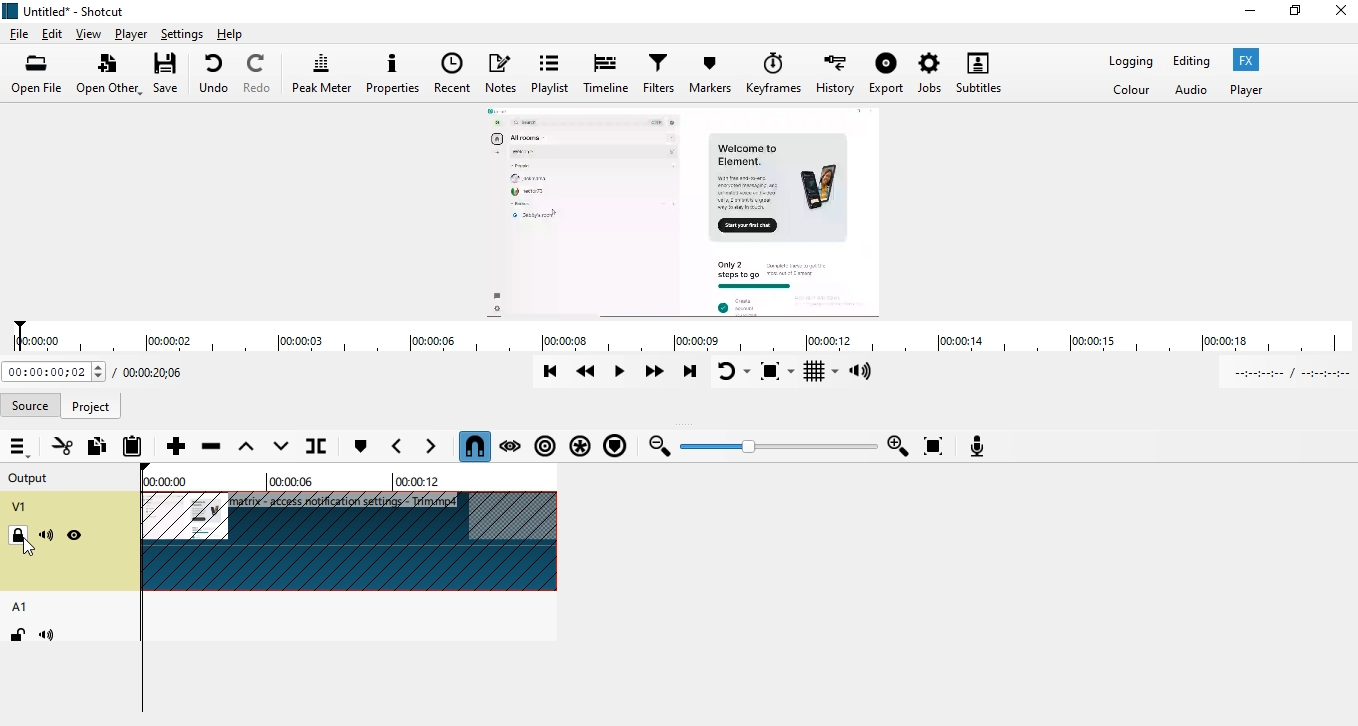 This screenshot has height=726, width=1358. Describe the element at coordinates (692, 373) in the screenshot. I see `Skip to the next point ` at that location.